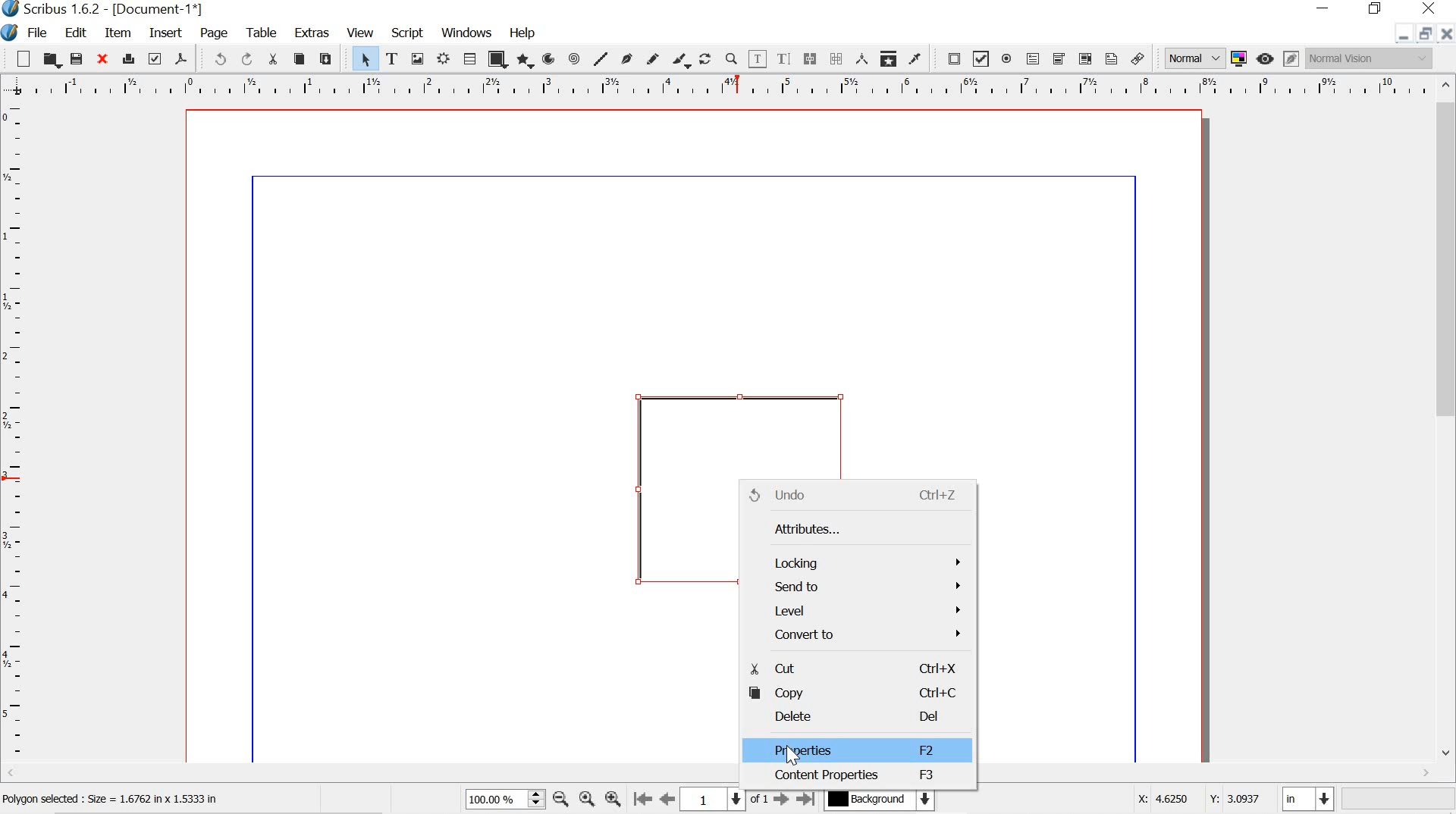 This screenshot has height=814, width=1456. Describe the element at coordinates (786, 58) in the screenshot. I see `edit text with story editor` at that location.